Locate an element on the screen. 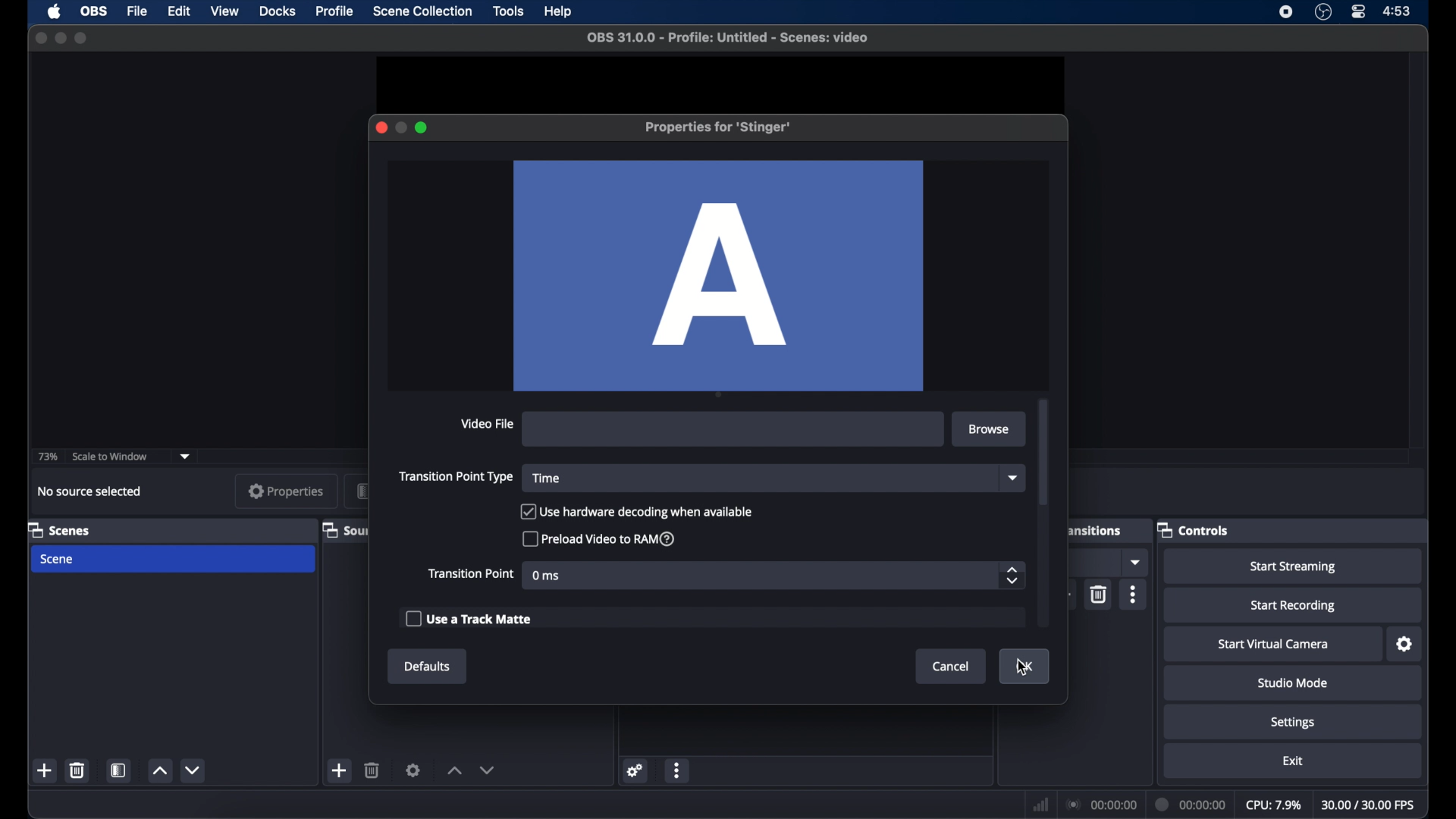  73% is located at coordinates (46, 457).